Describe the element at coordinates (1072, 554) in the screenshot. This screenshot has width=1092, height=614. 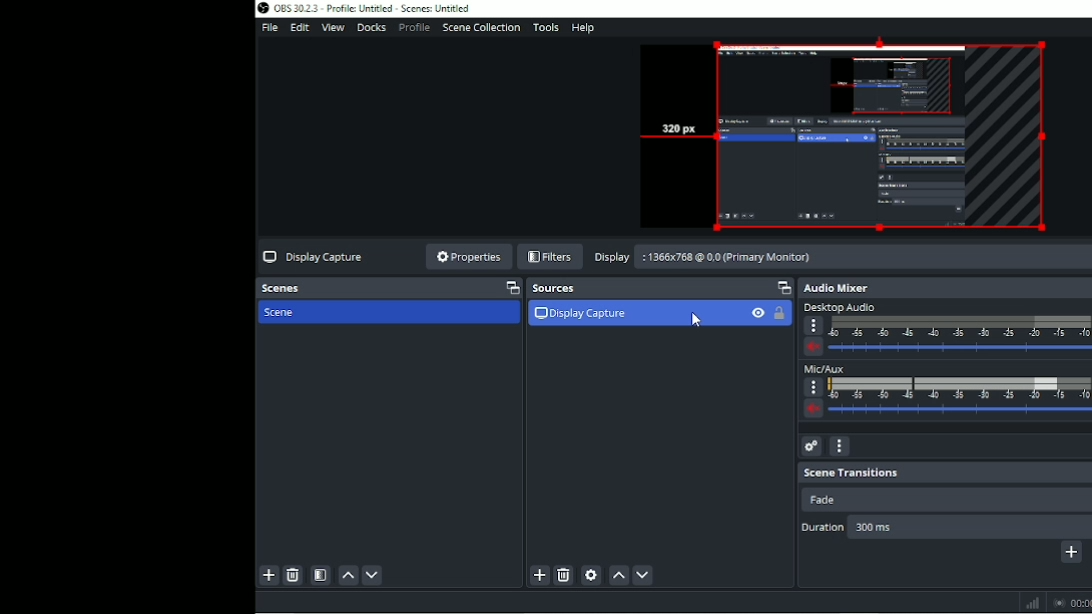
I see `Add configurable transition` at that location.